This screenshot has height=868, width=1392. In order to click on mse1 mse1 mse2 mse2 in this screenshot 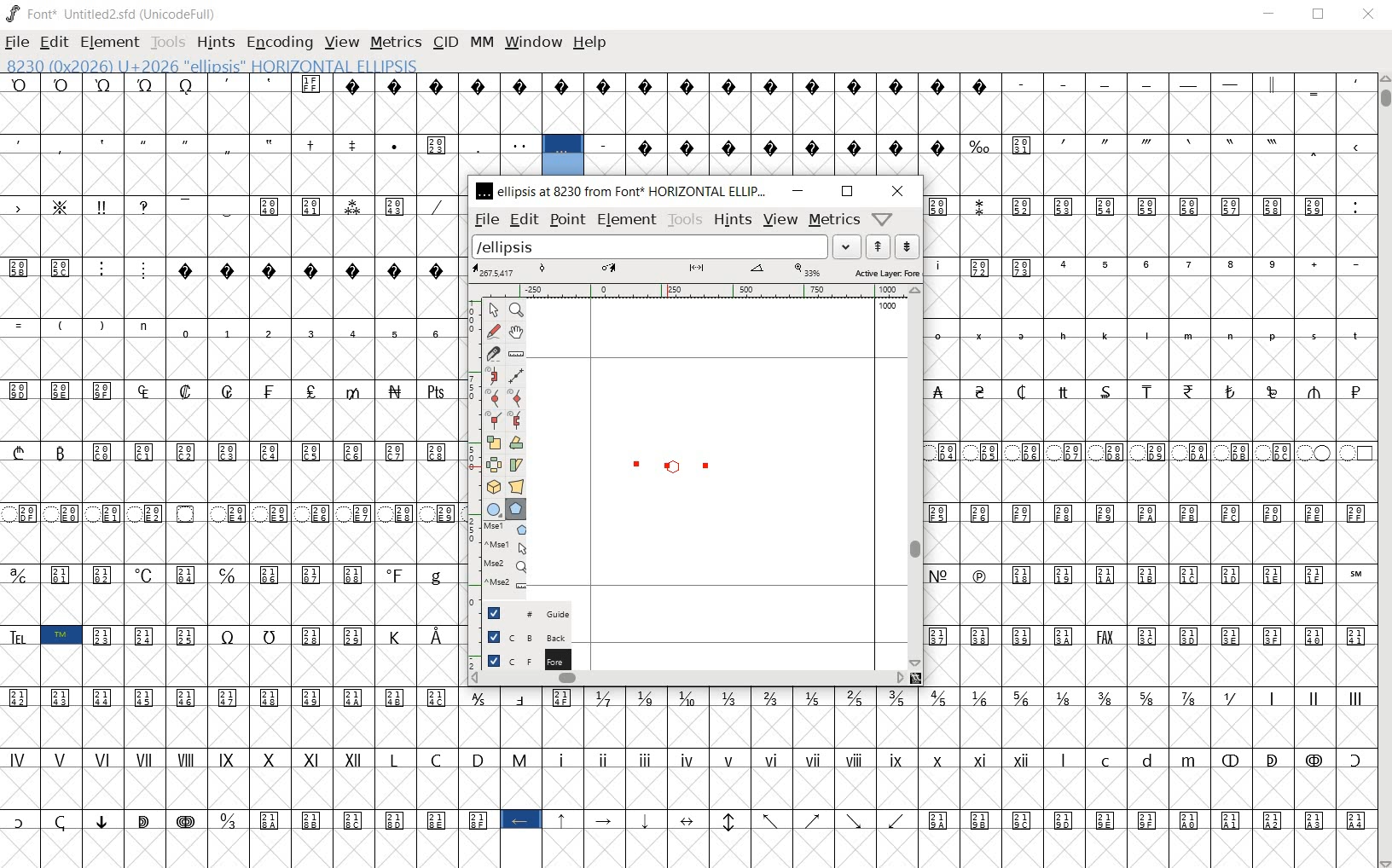, I will do `click(500, 557)`.